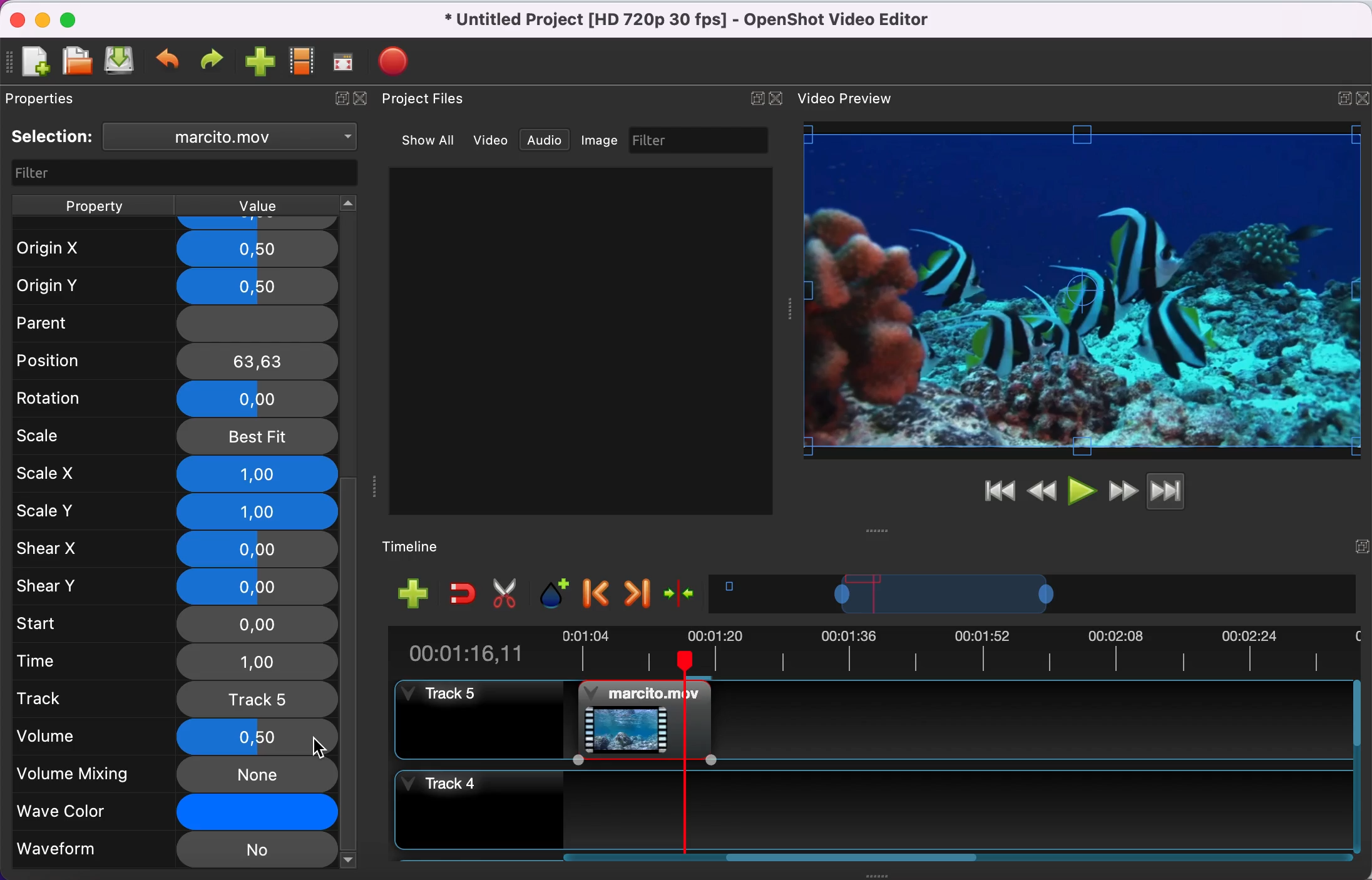 The image size is (1372, 880). I want to click on origin y 0,5, so click(176, 283).